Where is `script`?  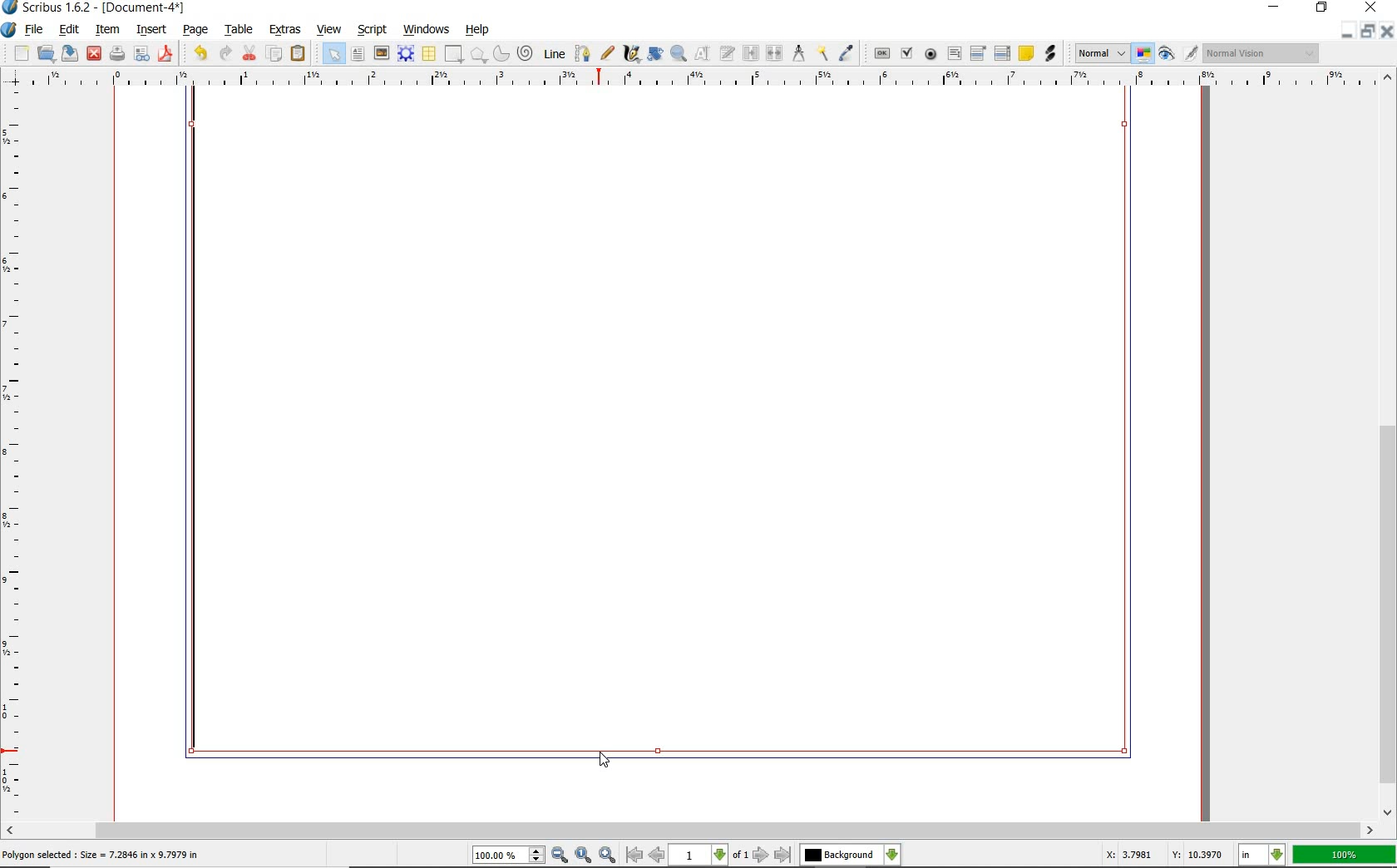
script is located at coordinates (374, 30).